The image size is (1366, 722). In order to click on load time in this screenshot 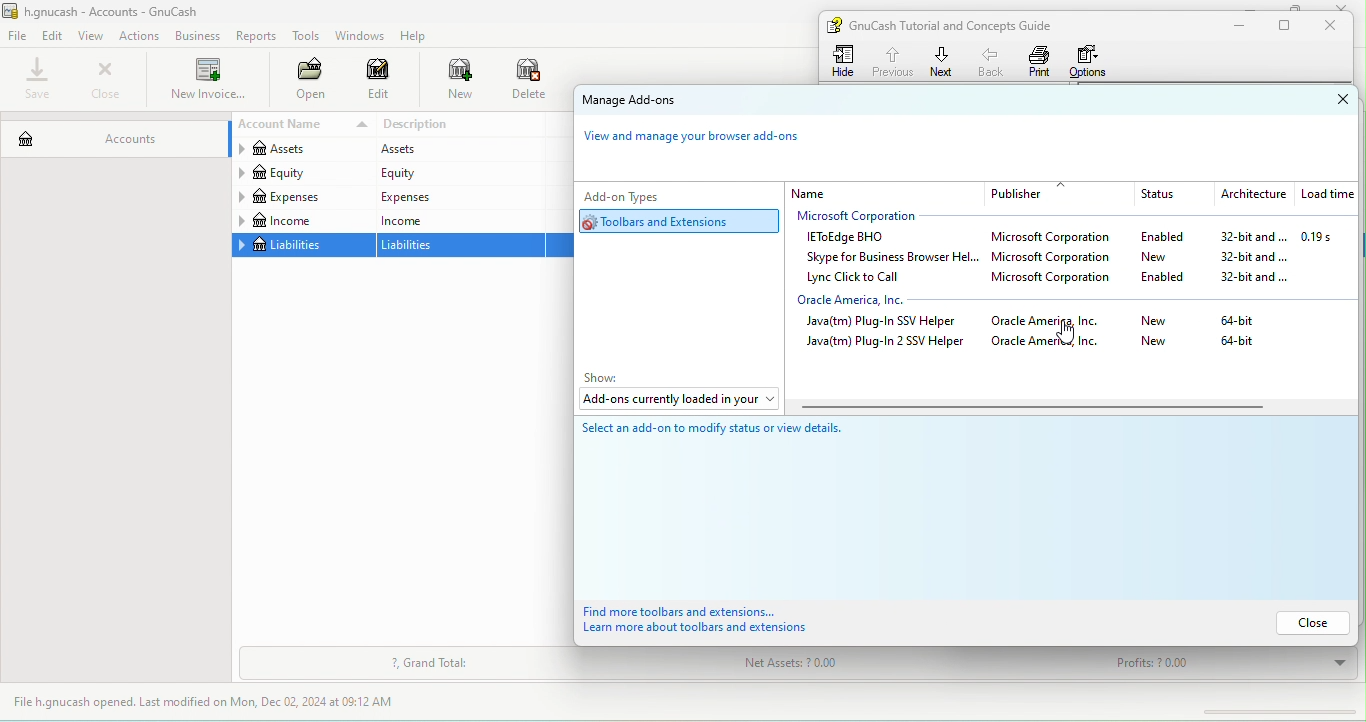, I will do `click(1325, 195)`.